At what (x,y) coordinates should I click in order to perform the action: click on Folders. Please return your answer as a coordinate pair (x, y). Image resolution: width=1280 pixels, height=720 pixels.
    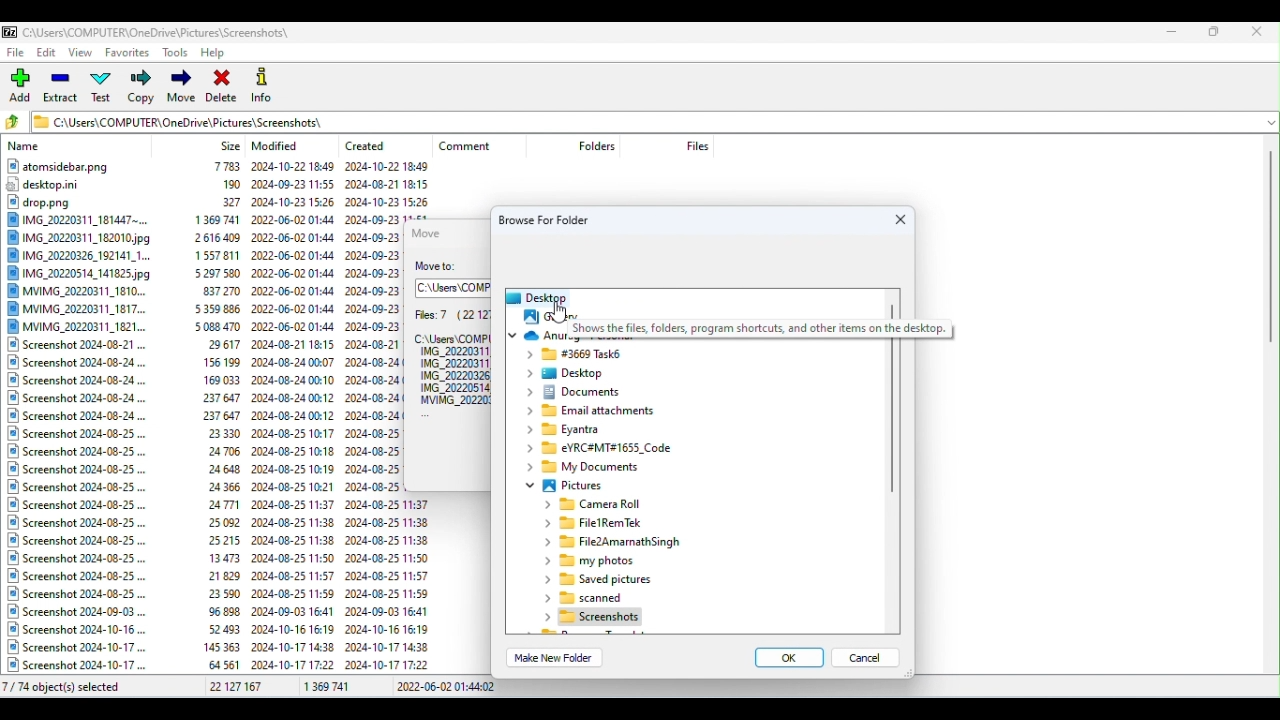
    Looking at the image, I should click on (599, 146).